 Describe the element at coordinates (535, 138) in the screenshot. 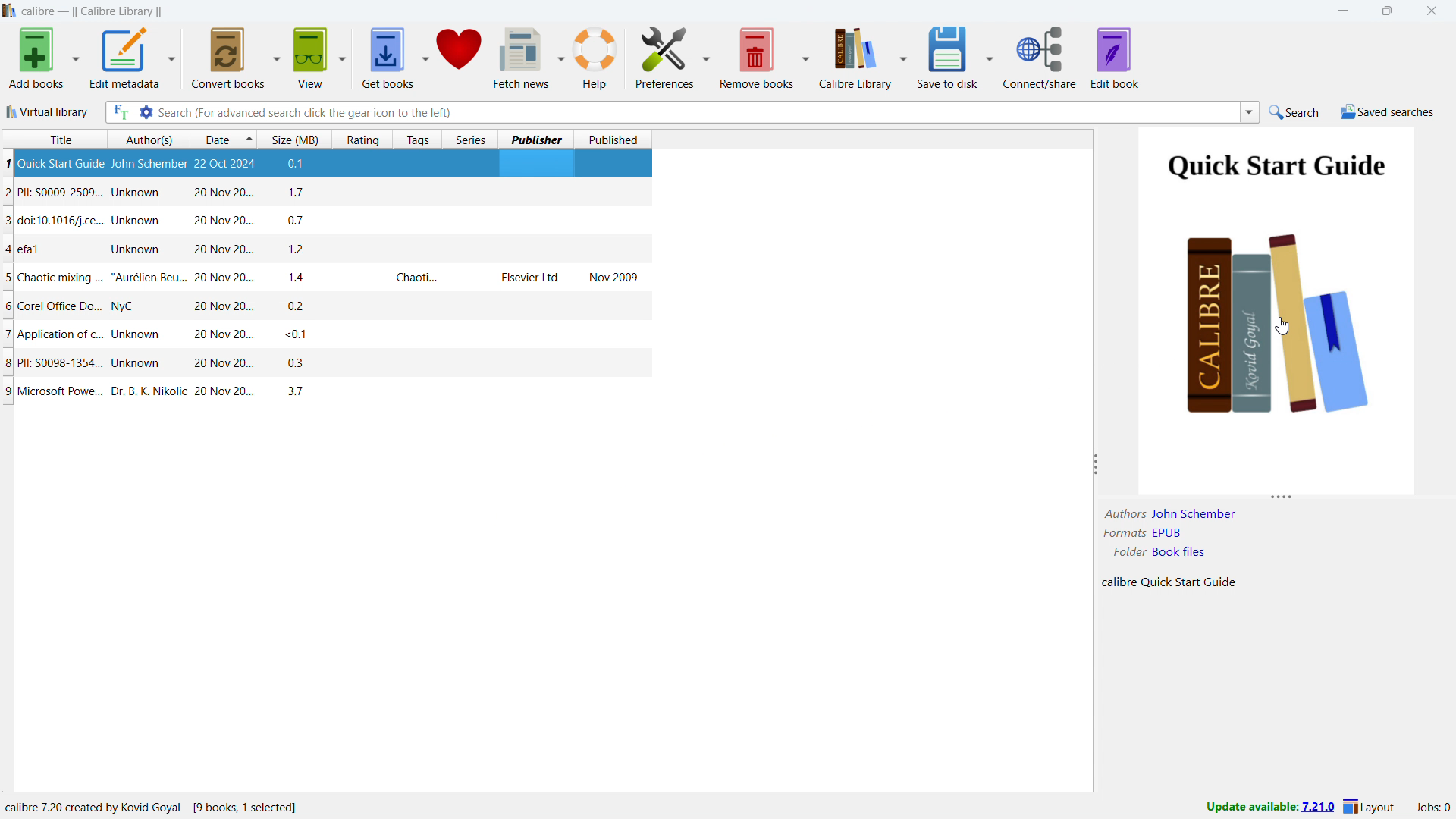

I see `publisher` at that location.